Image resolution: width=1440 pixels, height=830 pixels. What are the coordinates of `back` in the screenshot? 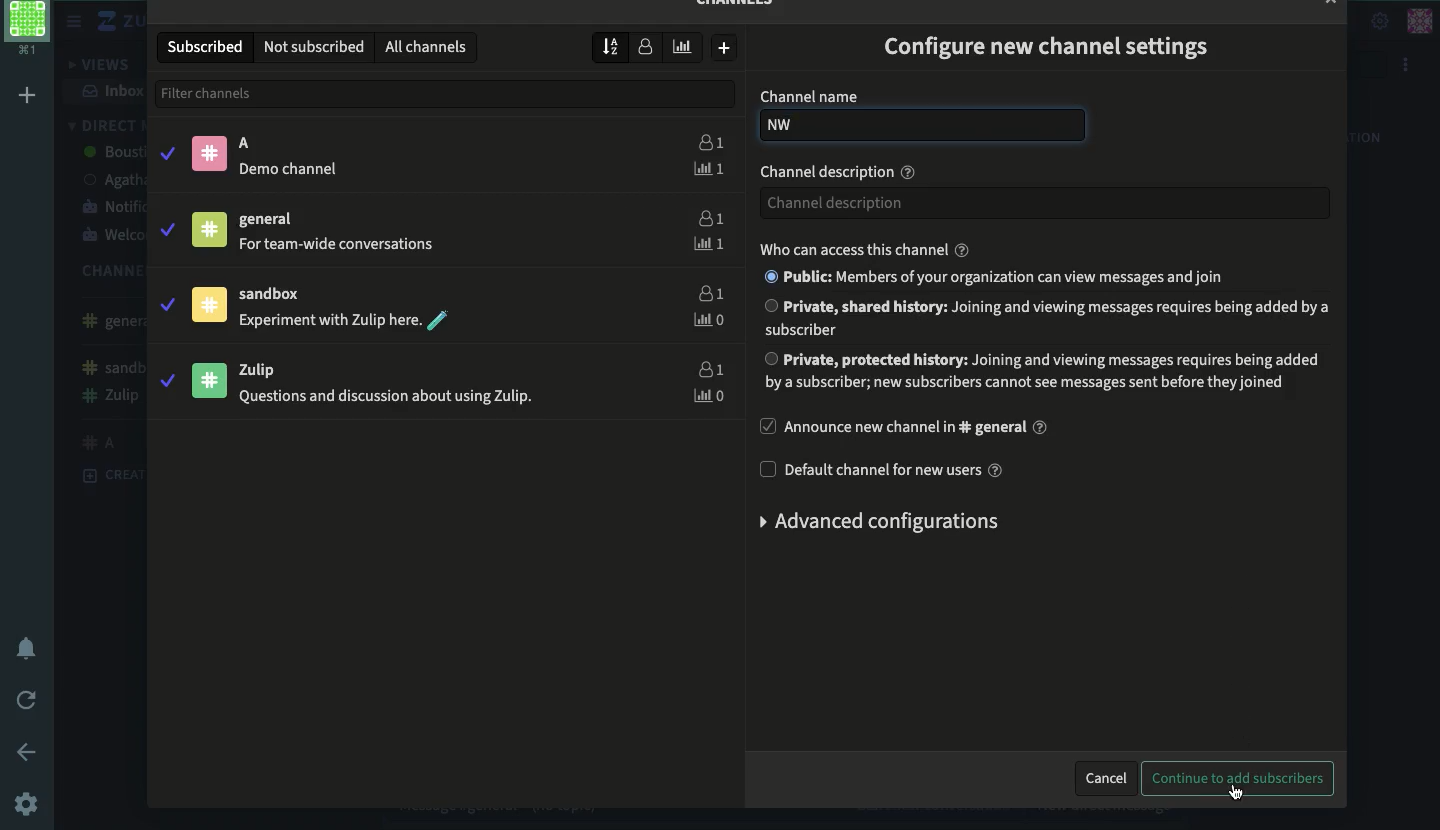 It's located at (31, 751).